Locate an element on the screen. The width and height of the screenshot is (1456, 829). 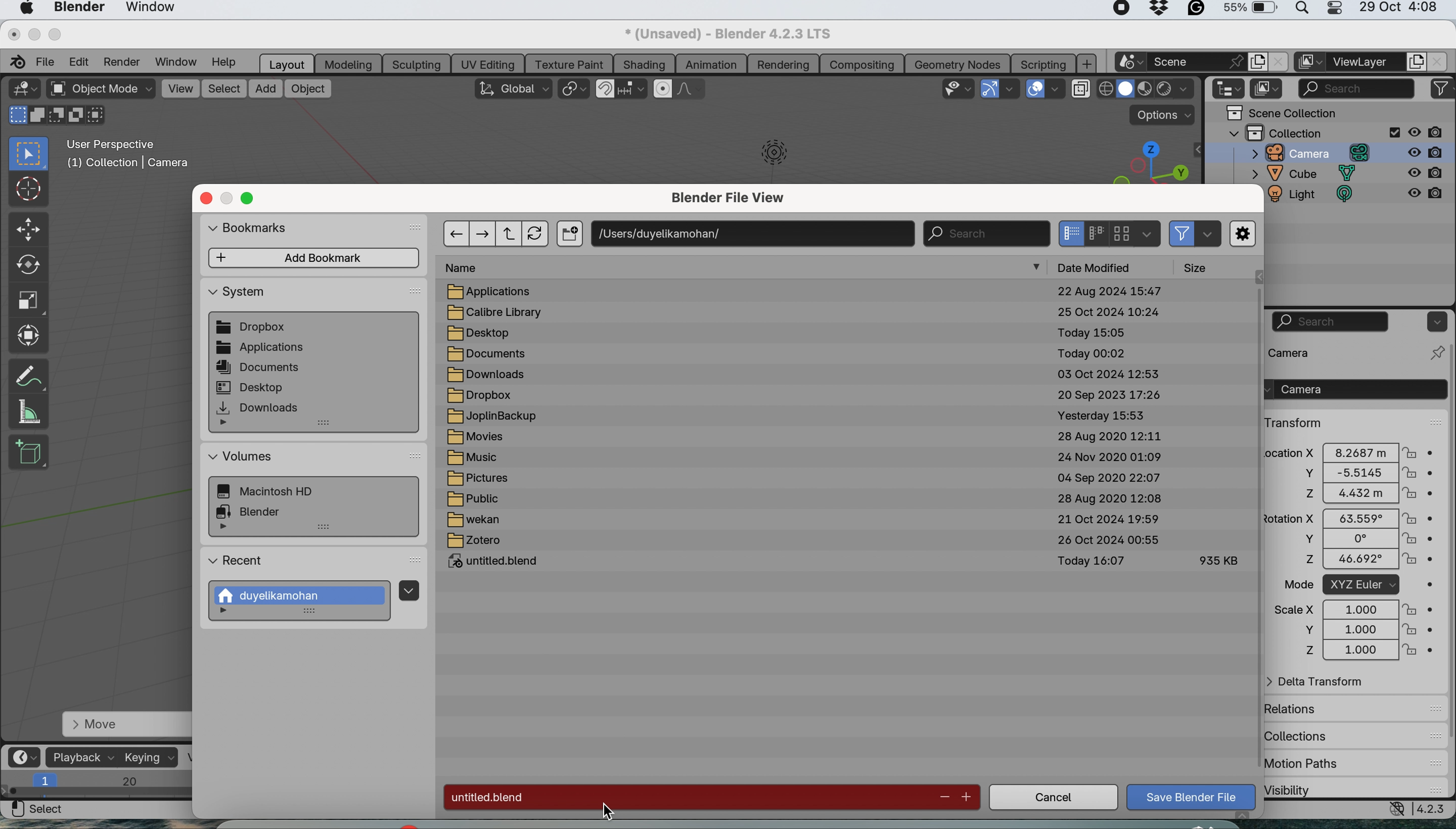
delta transform is located at coordinates (1323, 683).